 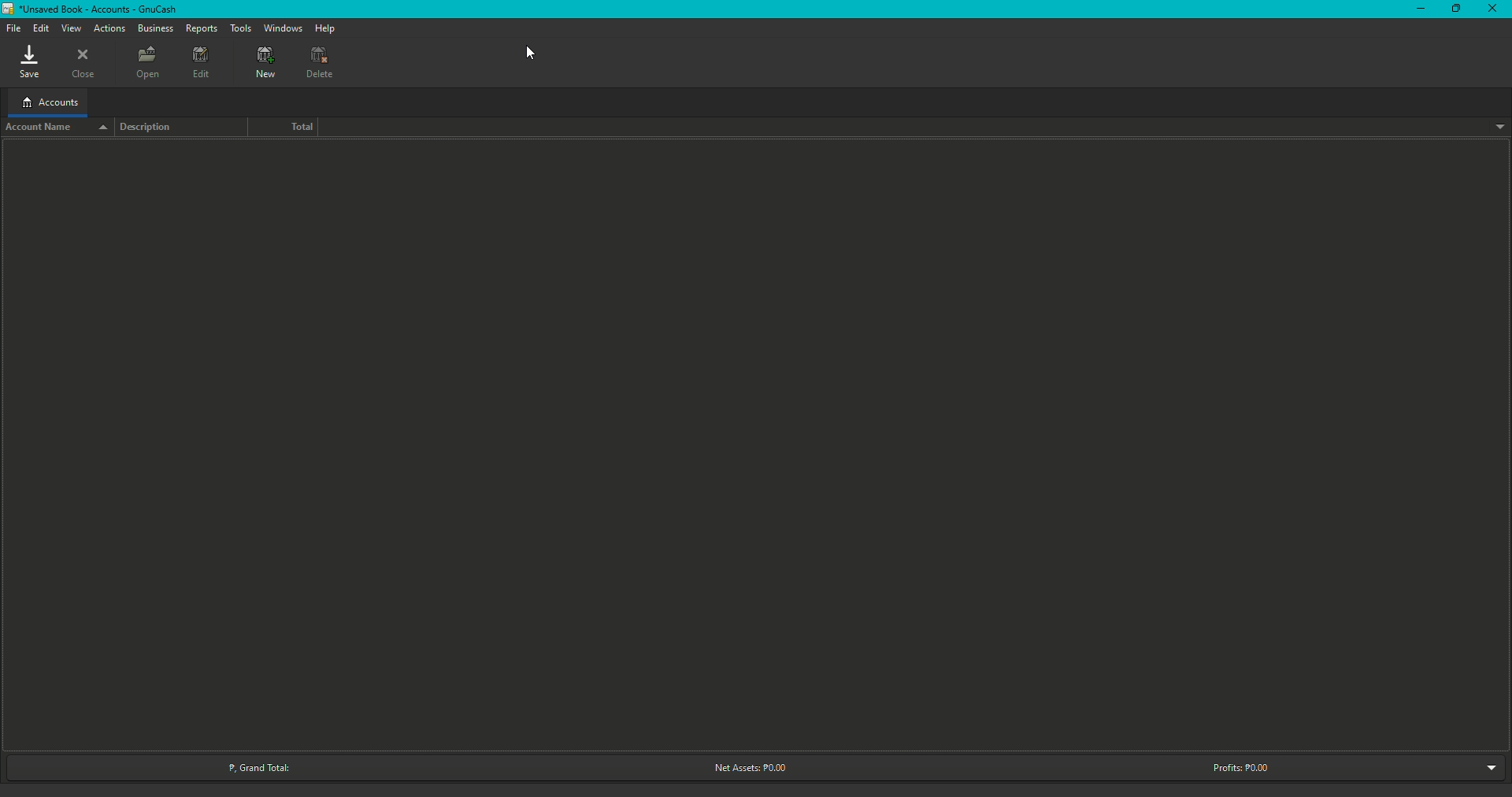 I want to click on Help, so click(x=328, y=29).